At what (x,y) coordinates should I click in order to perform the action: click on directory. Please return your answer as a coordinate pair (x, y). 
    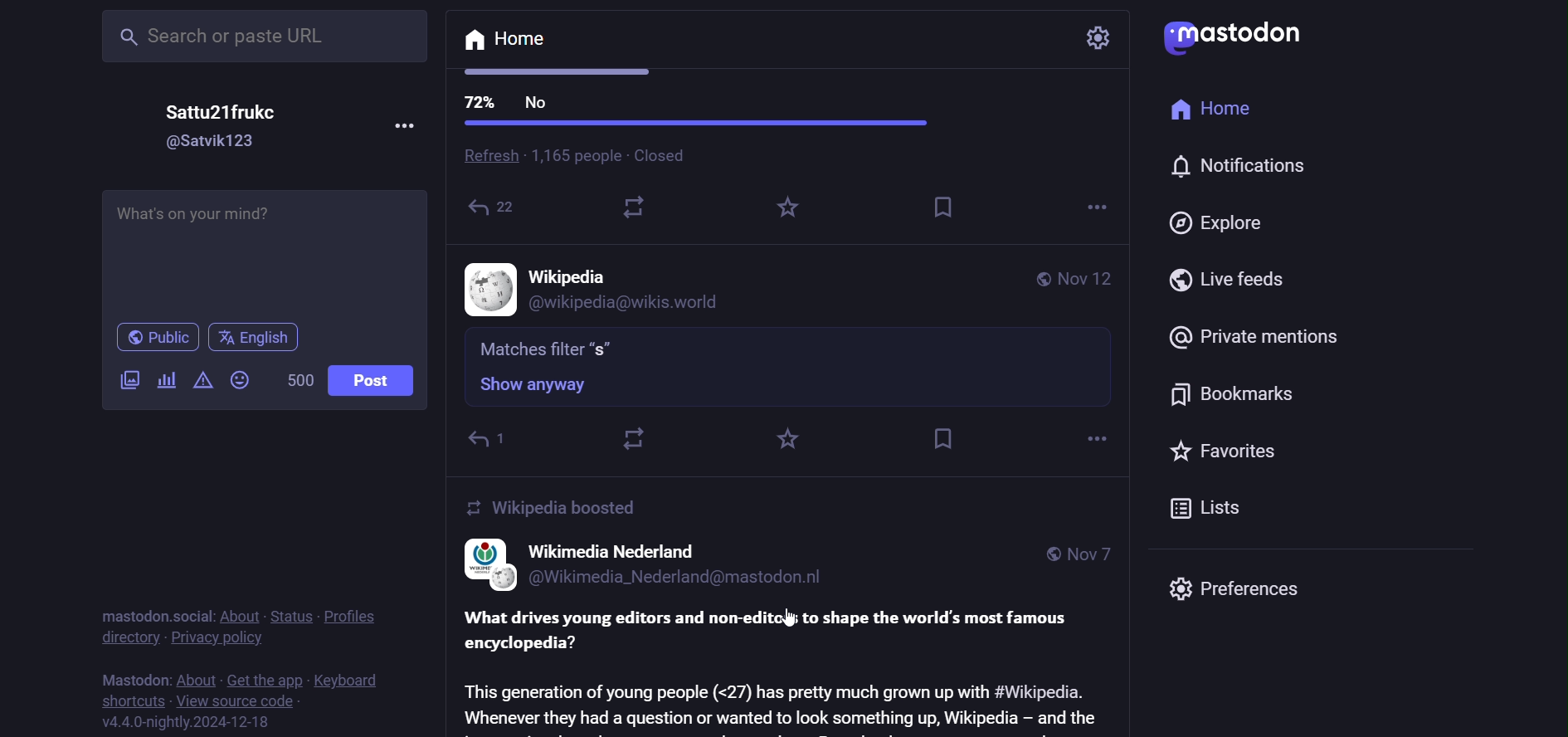
    Looking at the image, I should click on (129, 640).